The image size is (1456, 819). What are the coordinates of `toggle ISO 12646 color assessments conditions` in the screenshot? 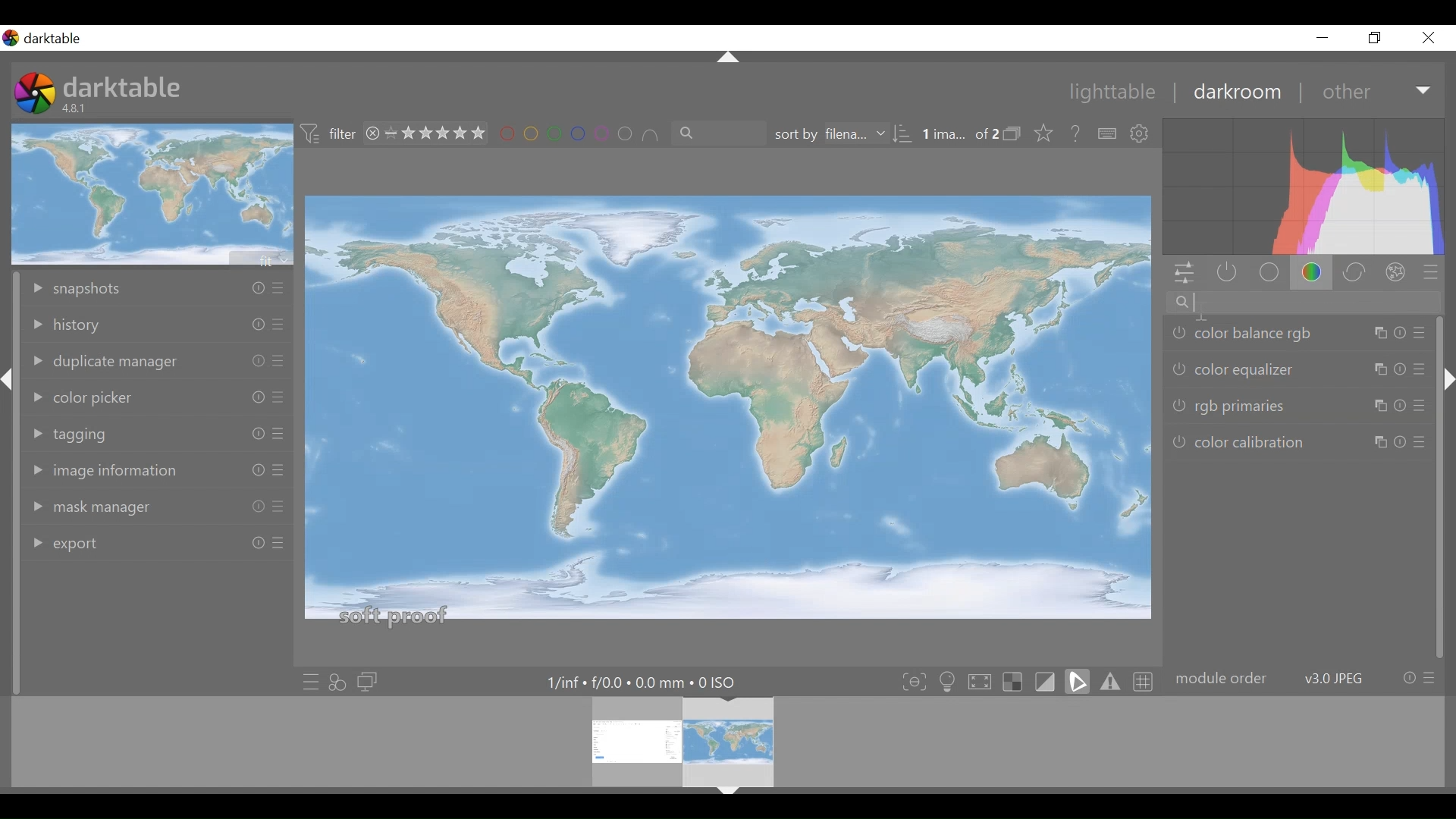 It's located at (949, 680).